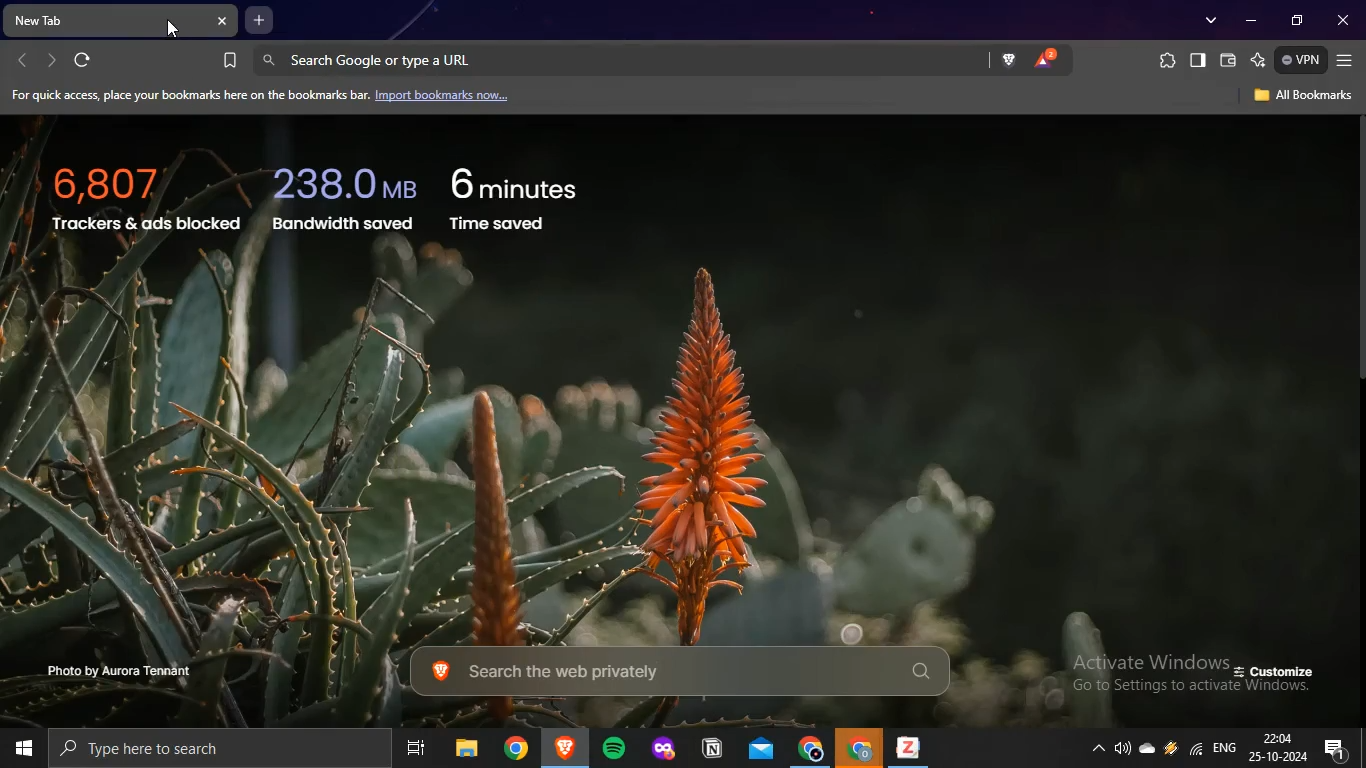 The height and width of the screenshot is (768, 1366). I want to click on new tab, so click(106, 21).